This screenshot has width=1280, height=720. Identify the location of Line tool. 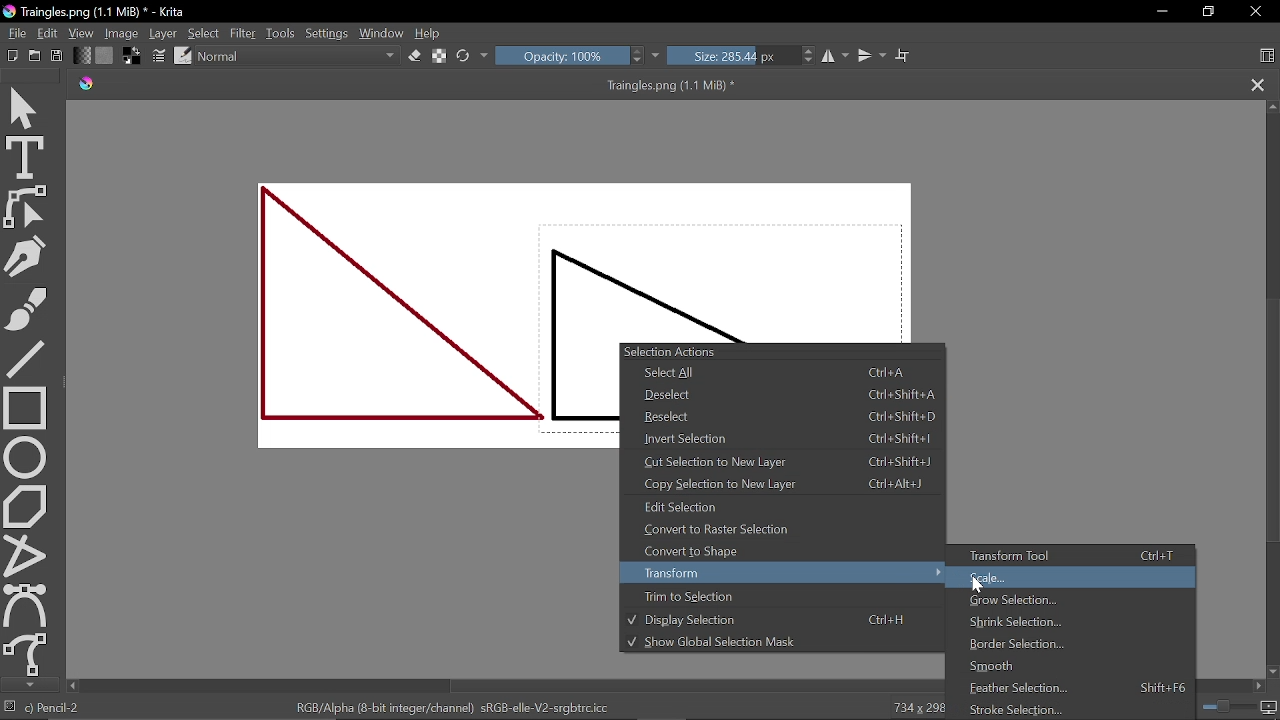
(25, 357).